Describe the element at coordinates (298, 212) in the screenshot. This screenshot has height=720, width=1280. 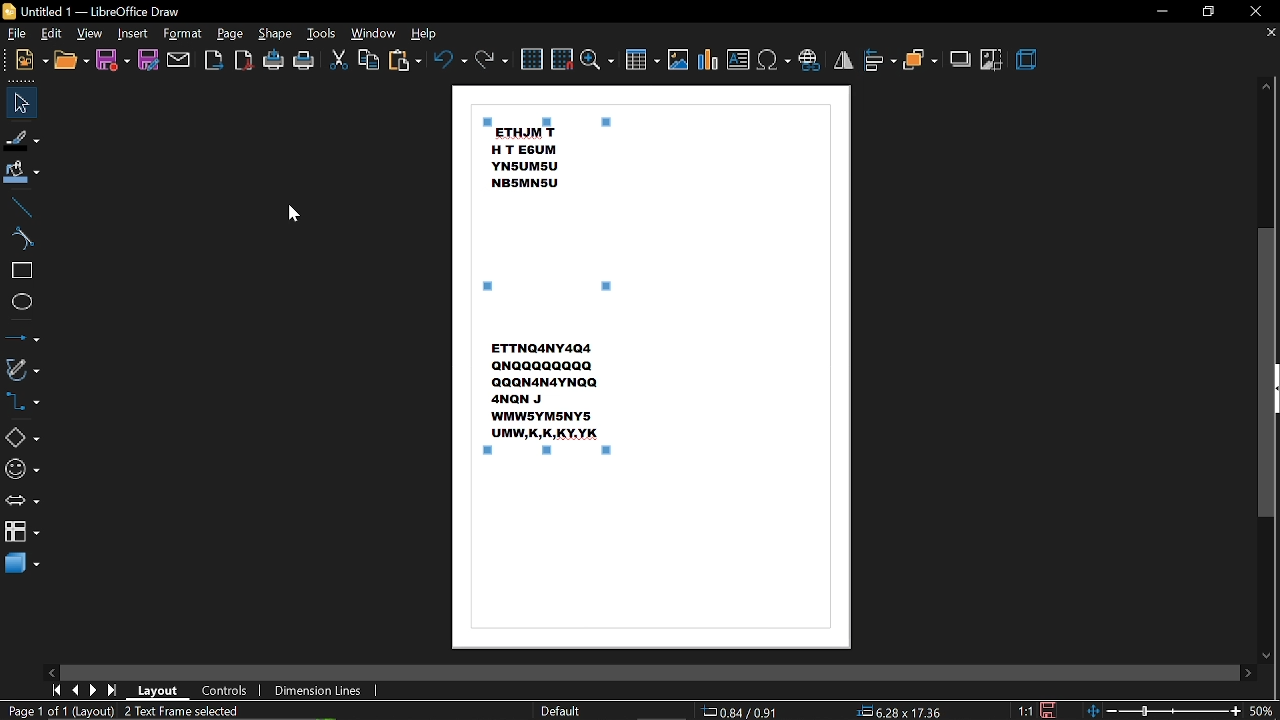
I see `Cursor` at that location.